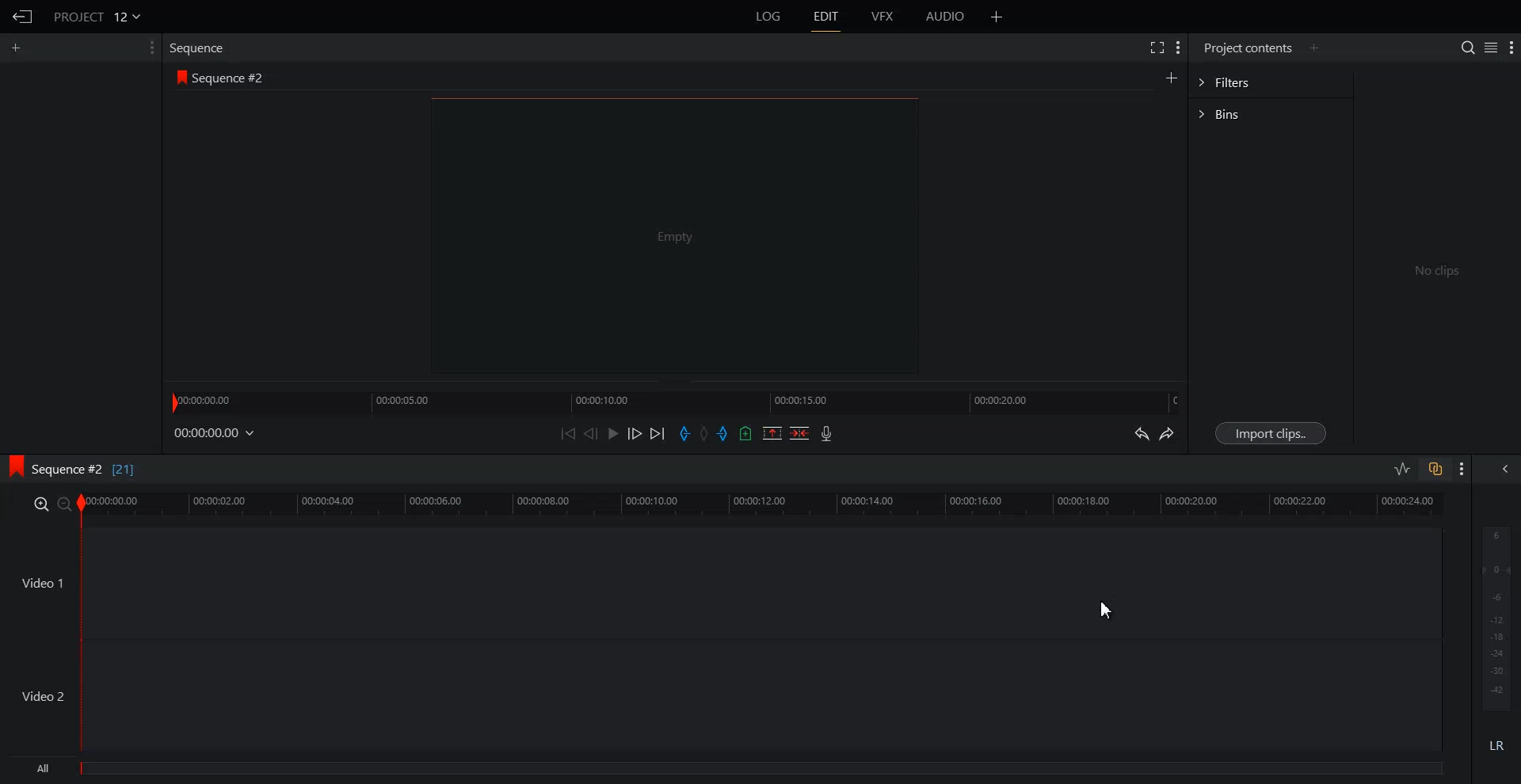 This screenshot has width=1521, height=784. What do you see at coordinates (1439, 271) in the screenshot?
I see `No clips` at bounding box center [1439, 271].